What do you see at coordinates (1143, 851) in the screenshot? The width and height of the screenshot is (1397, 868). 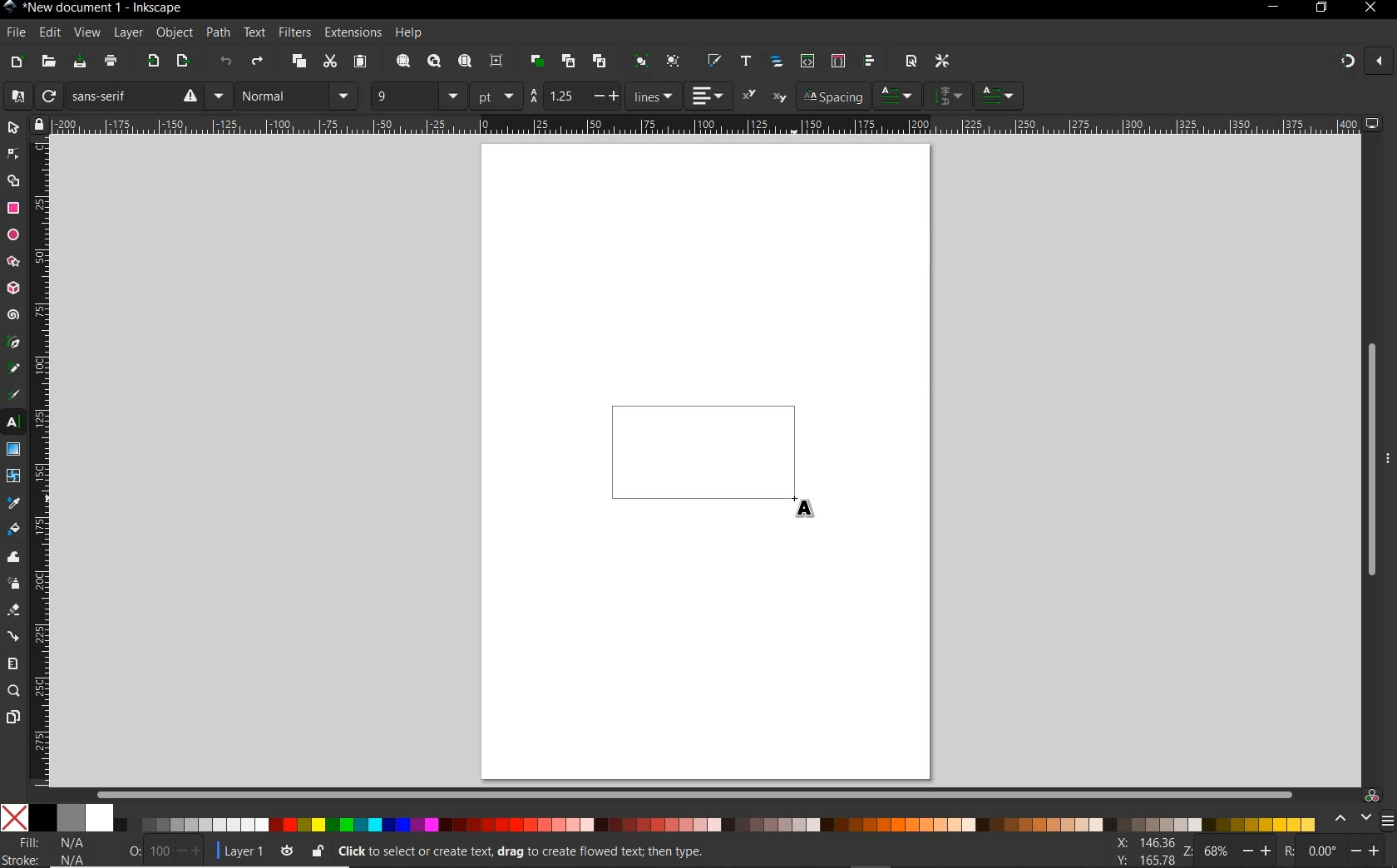 I see `cursor coordinates` at bounding box center [1143, 851].